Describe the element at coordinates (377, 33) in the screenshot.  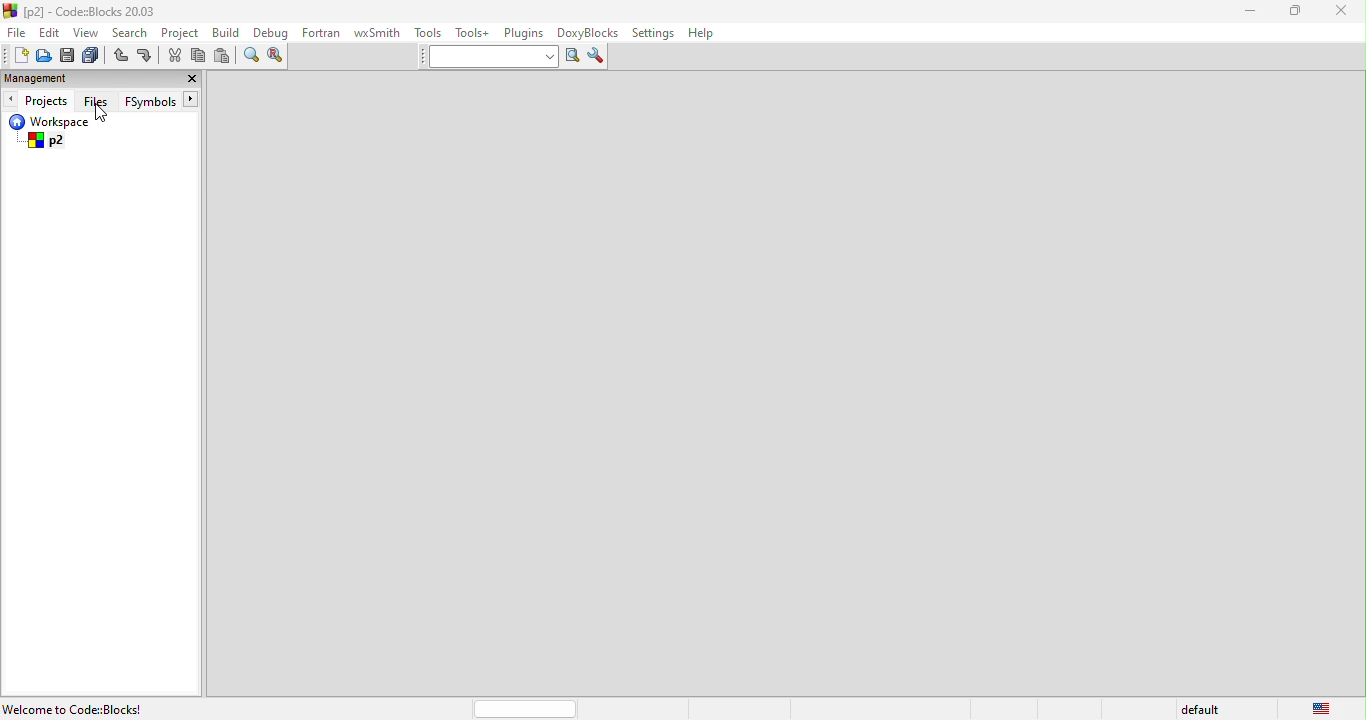
I see `wxsmith` at that location.